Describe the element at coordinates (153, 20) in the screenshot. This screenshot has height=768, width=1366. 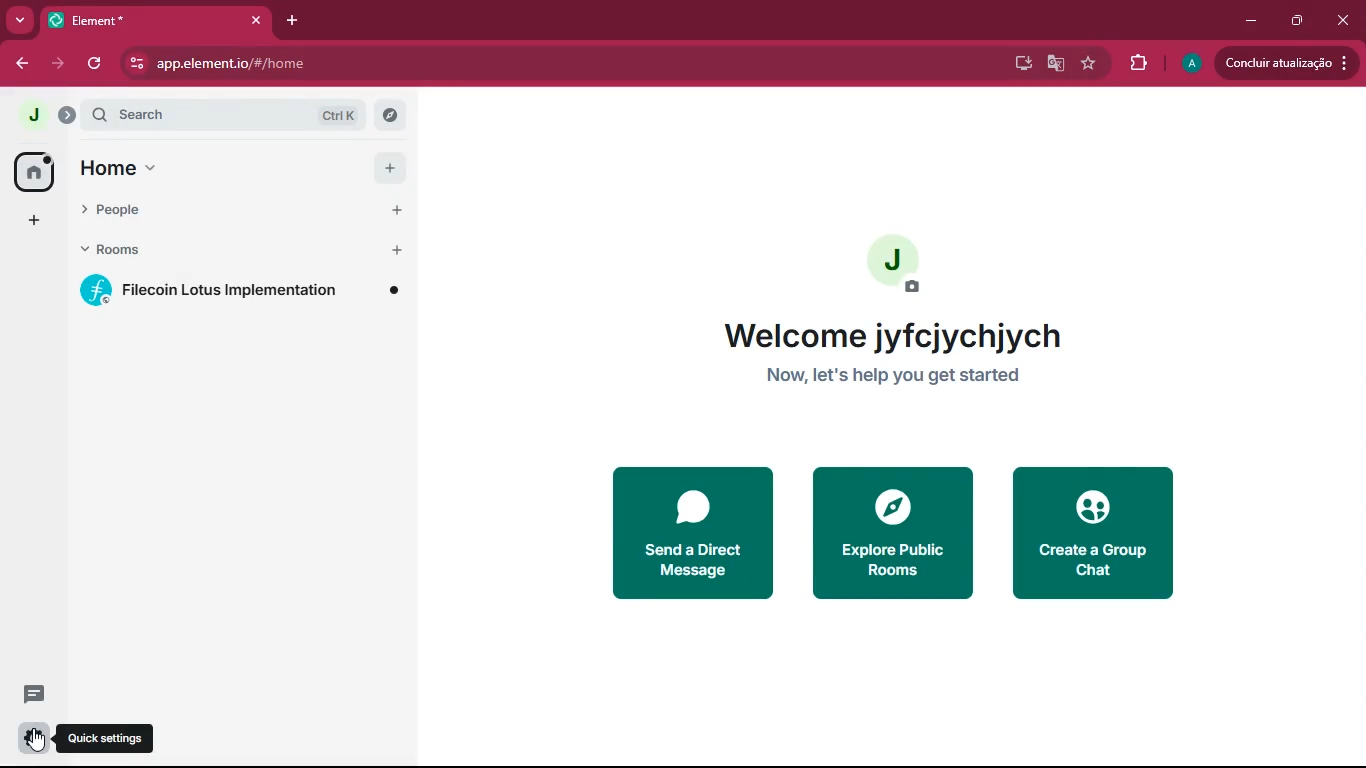
I see `Element*` at that location.